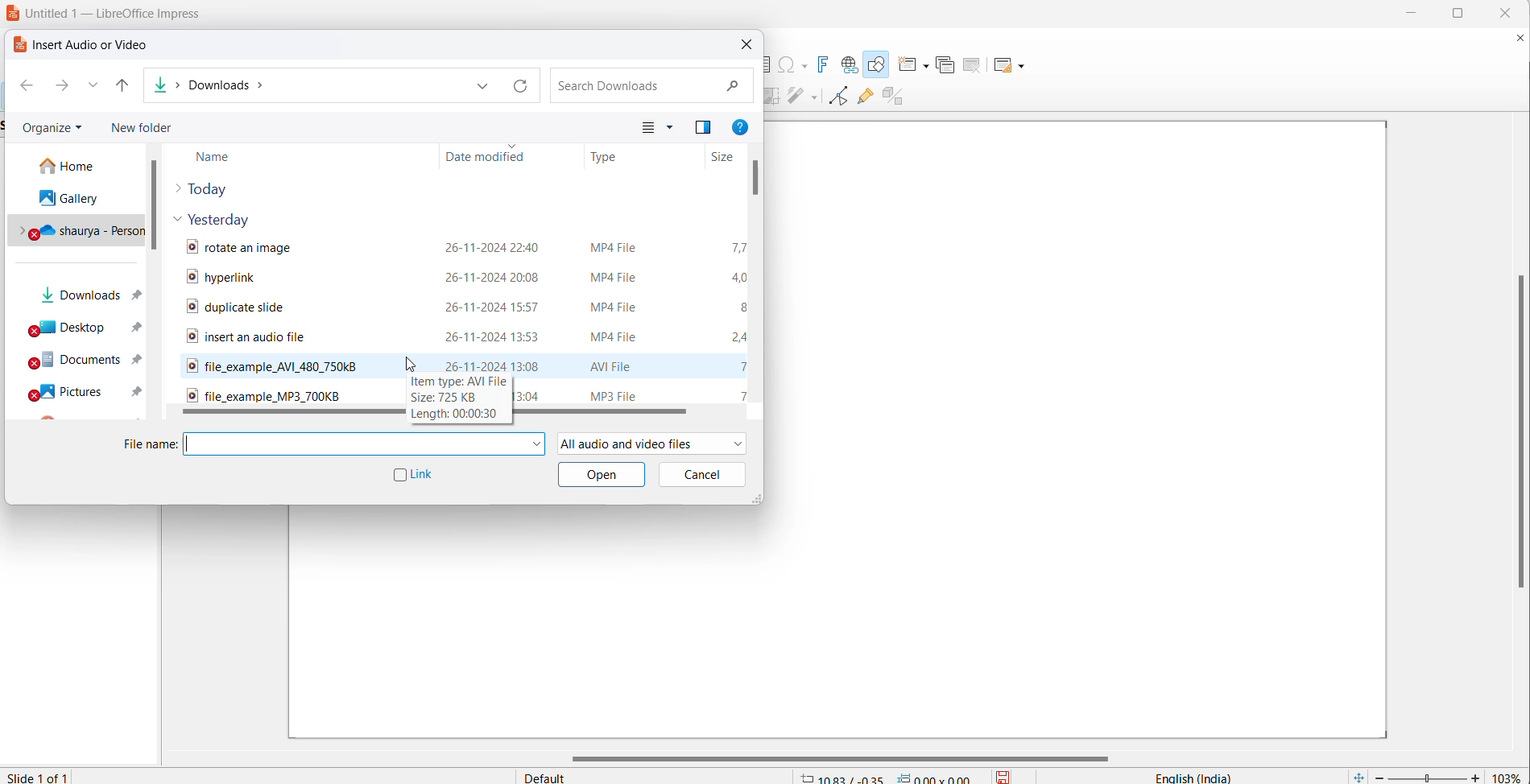 The height and width of the screenshot is (784, 1530). I want to click on new folder, so click(145, 126).